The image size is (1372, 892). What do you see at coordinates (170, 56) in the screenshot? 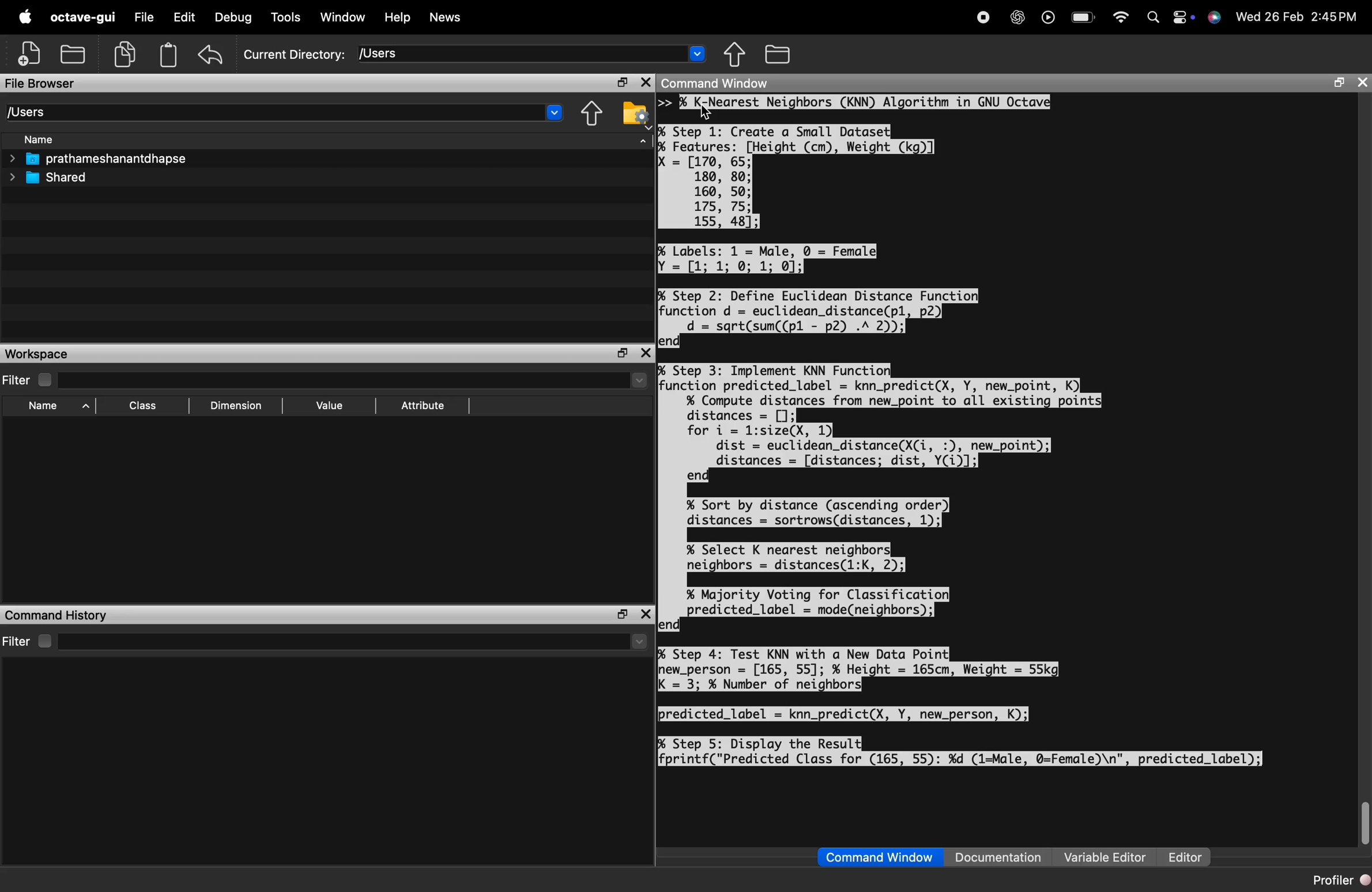
I see `storage` at bounding box center [170, 56].